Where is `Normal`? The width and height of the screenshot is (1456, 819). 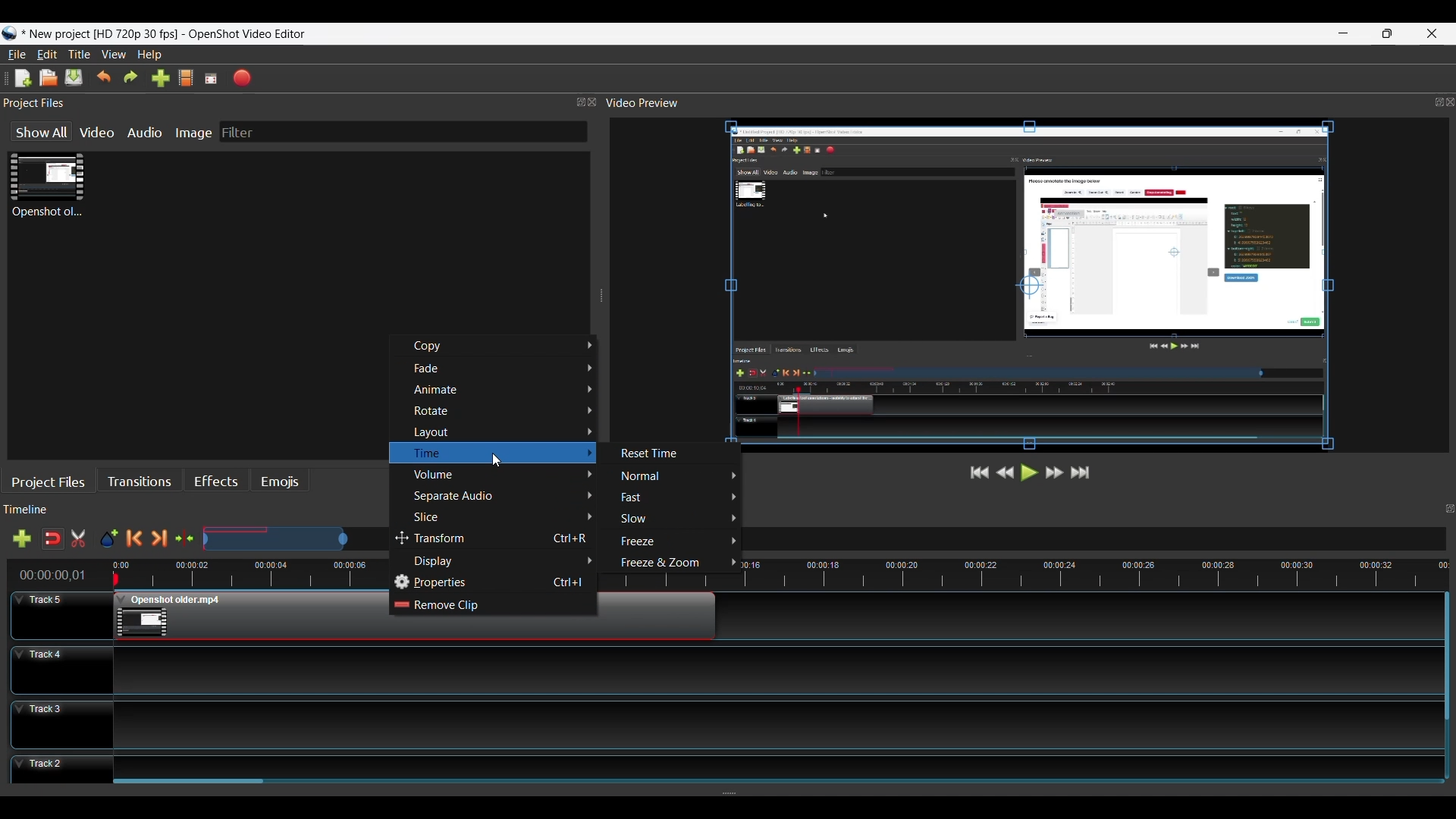
Normal is located at coordinates (676, 476).